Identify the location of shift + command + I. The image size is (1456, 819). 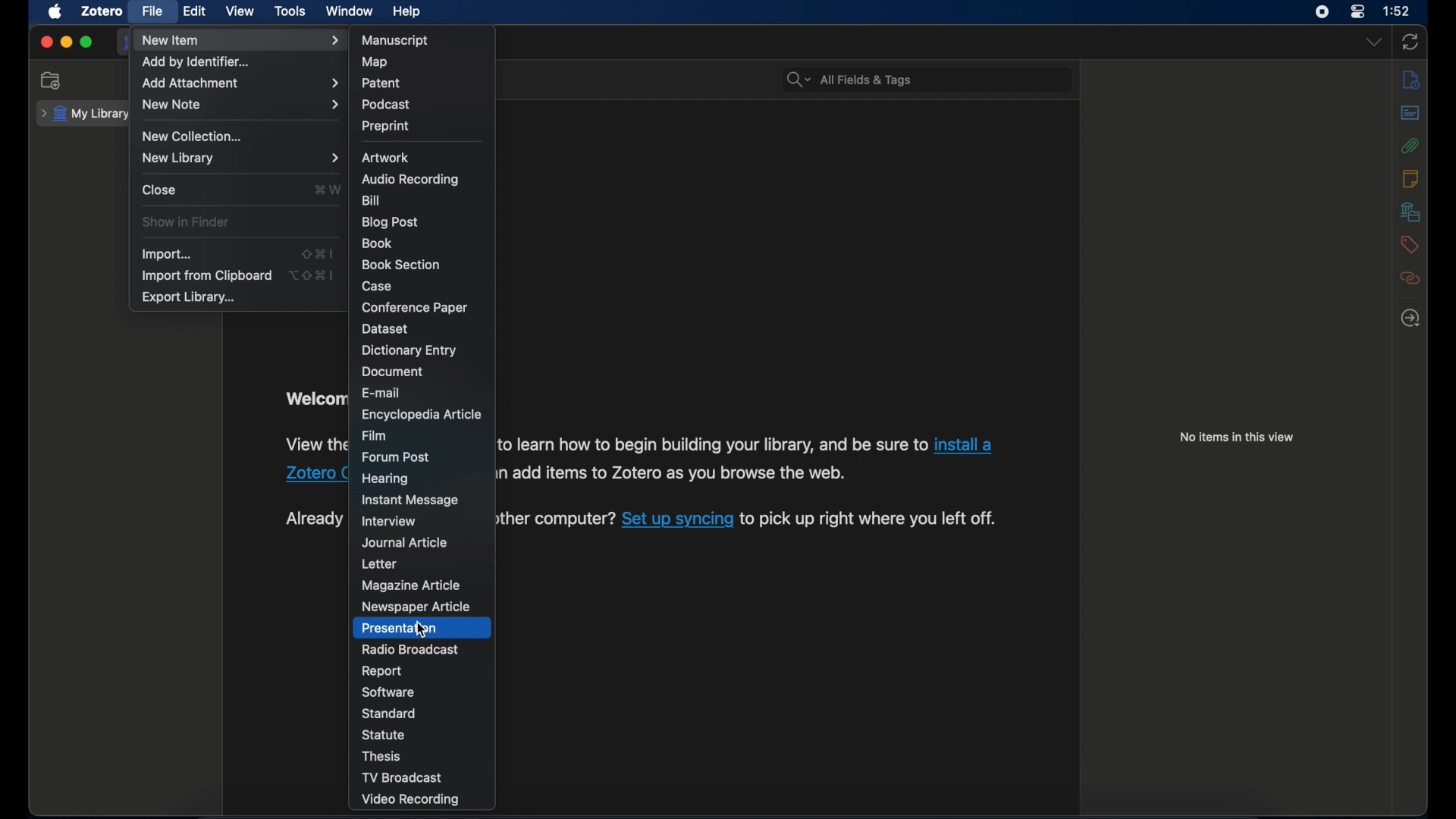
(318, 253).